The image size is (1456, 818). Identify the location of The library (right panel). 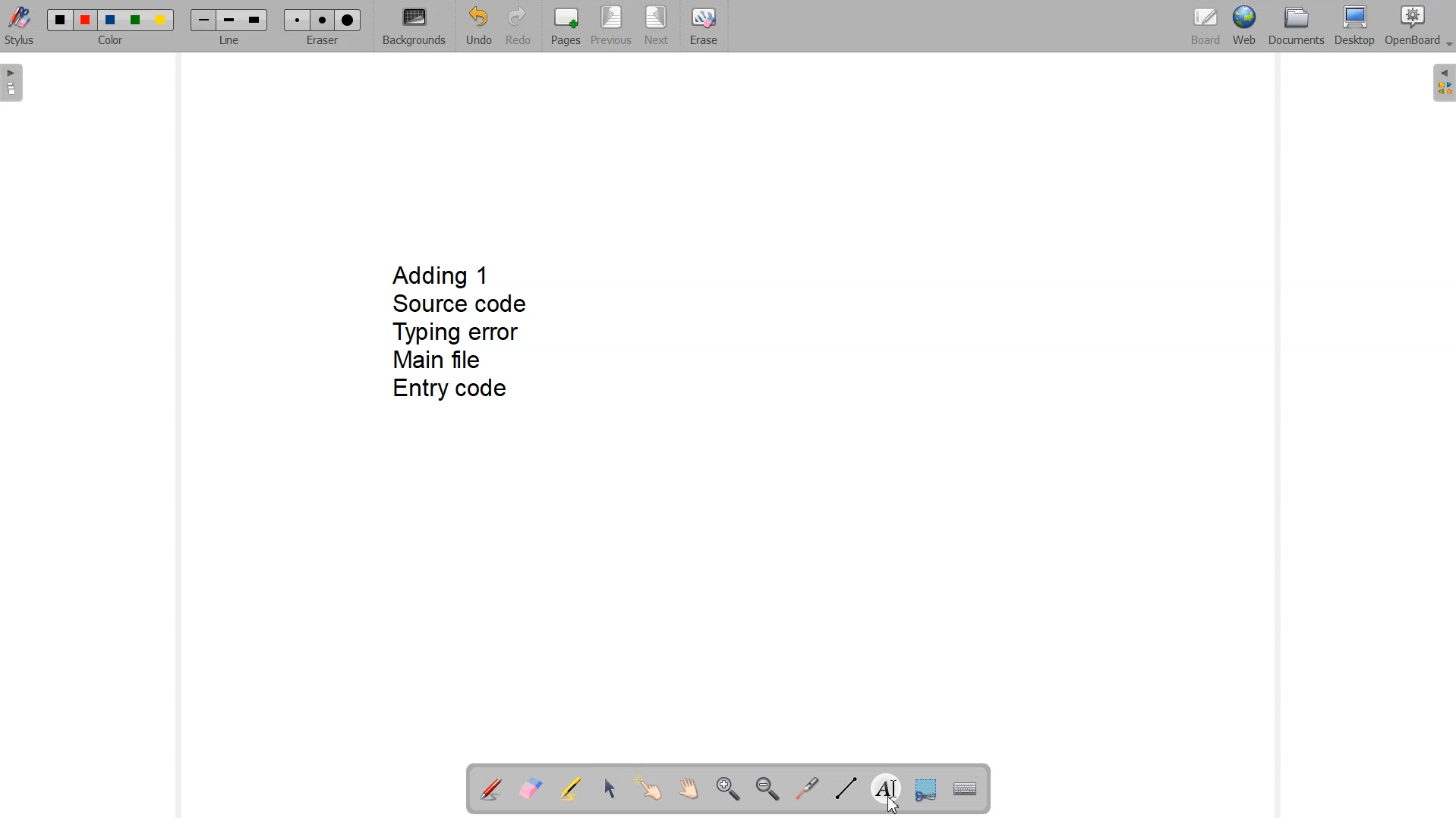
(1442, 83).